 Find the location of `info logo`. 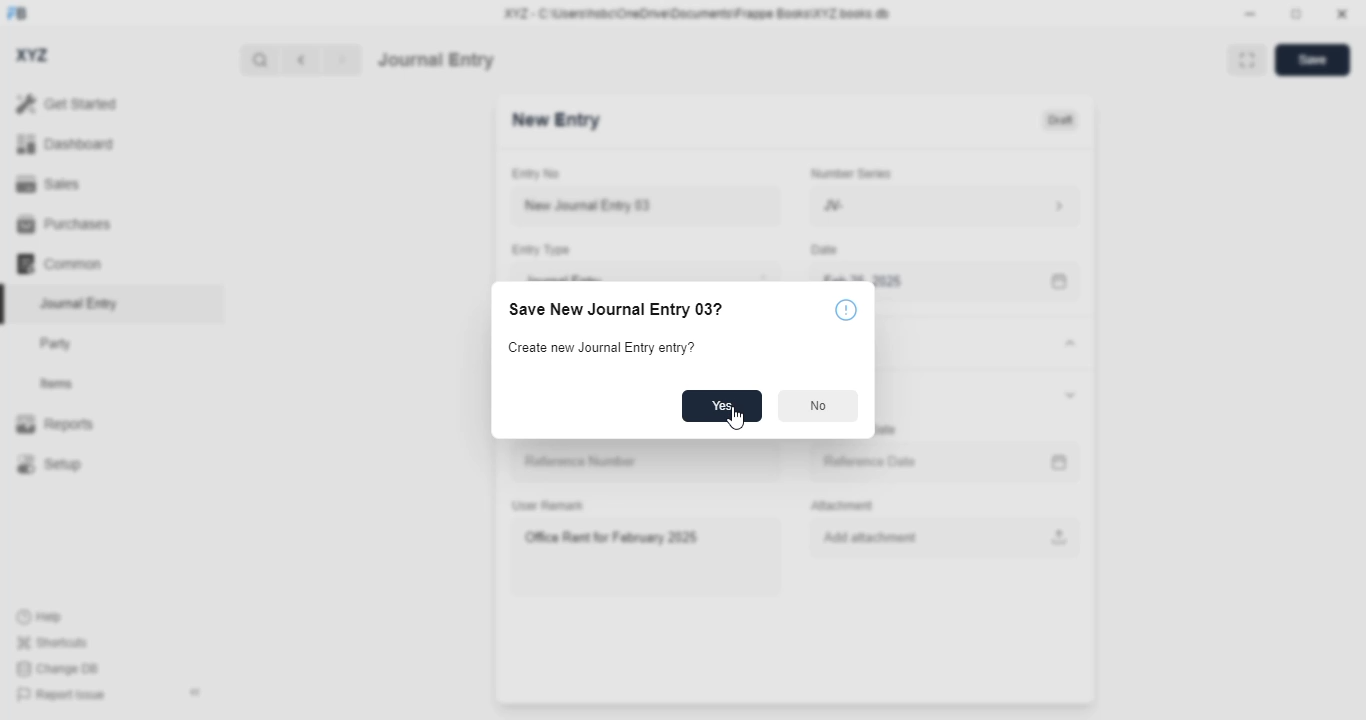

info logo is located at coordinates (846, 309).